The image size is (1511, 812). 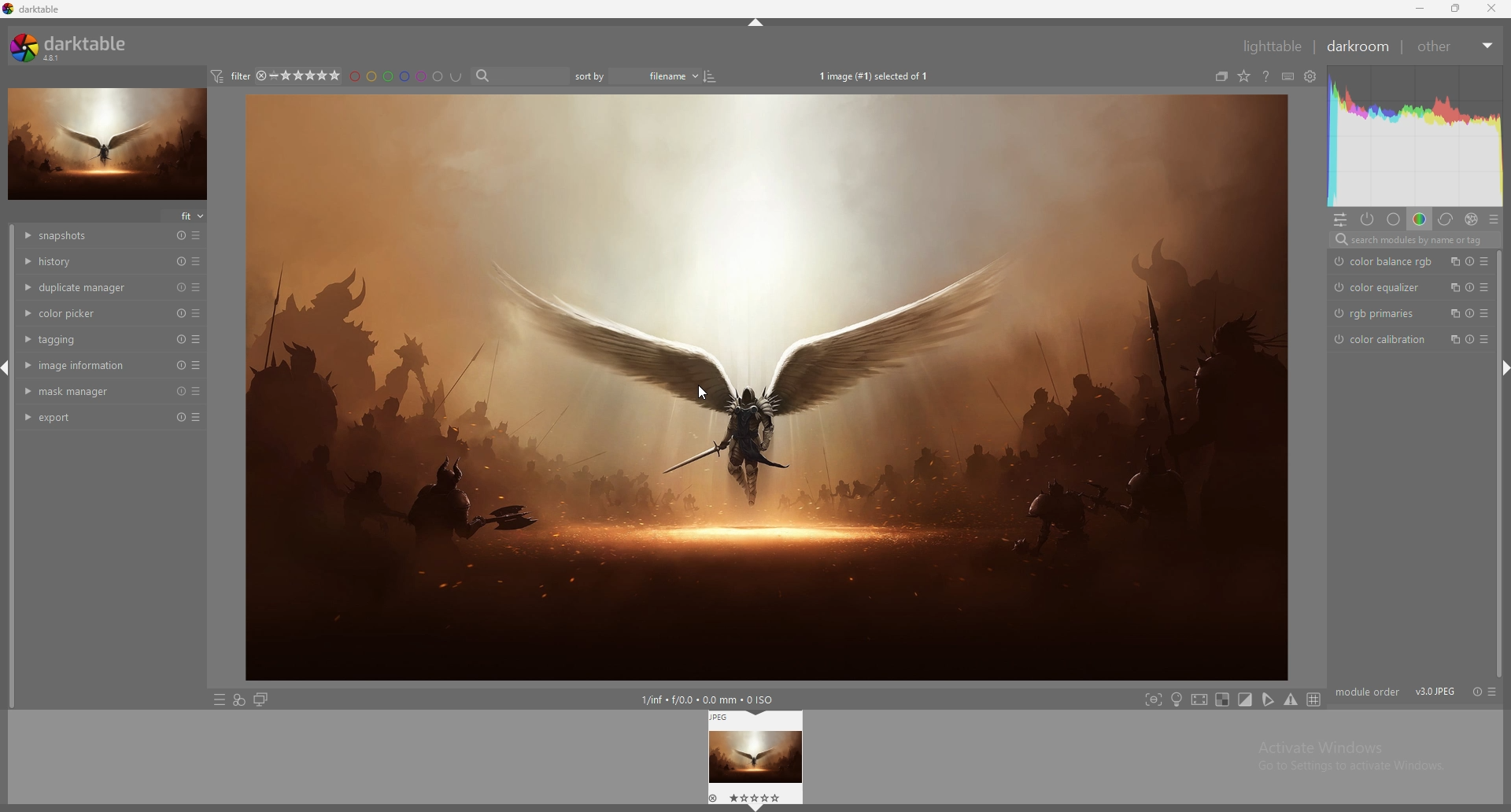 I want to click on reset, so click(x=181, y=261).